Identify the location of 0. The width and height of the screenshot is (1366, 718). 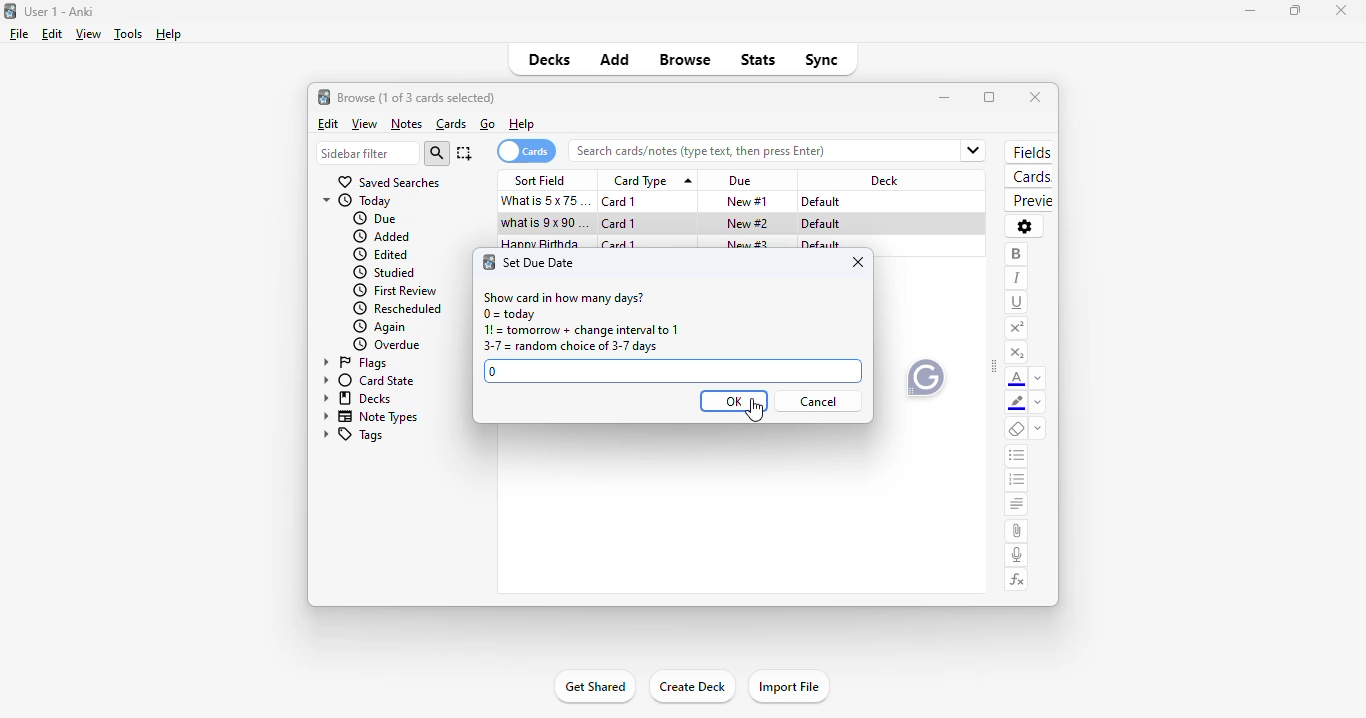
(495, 371).